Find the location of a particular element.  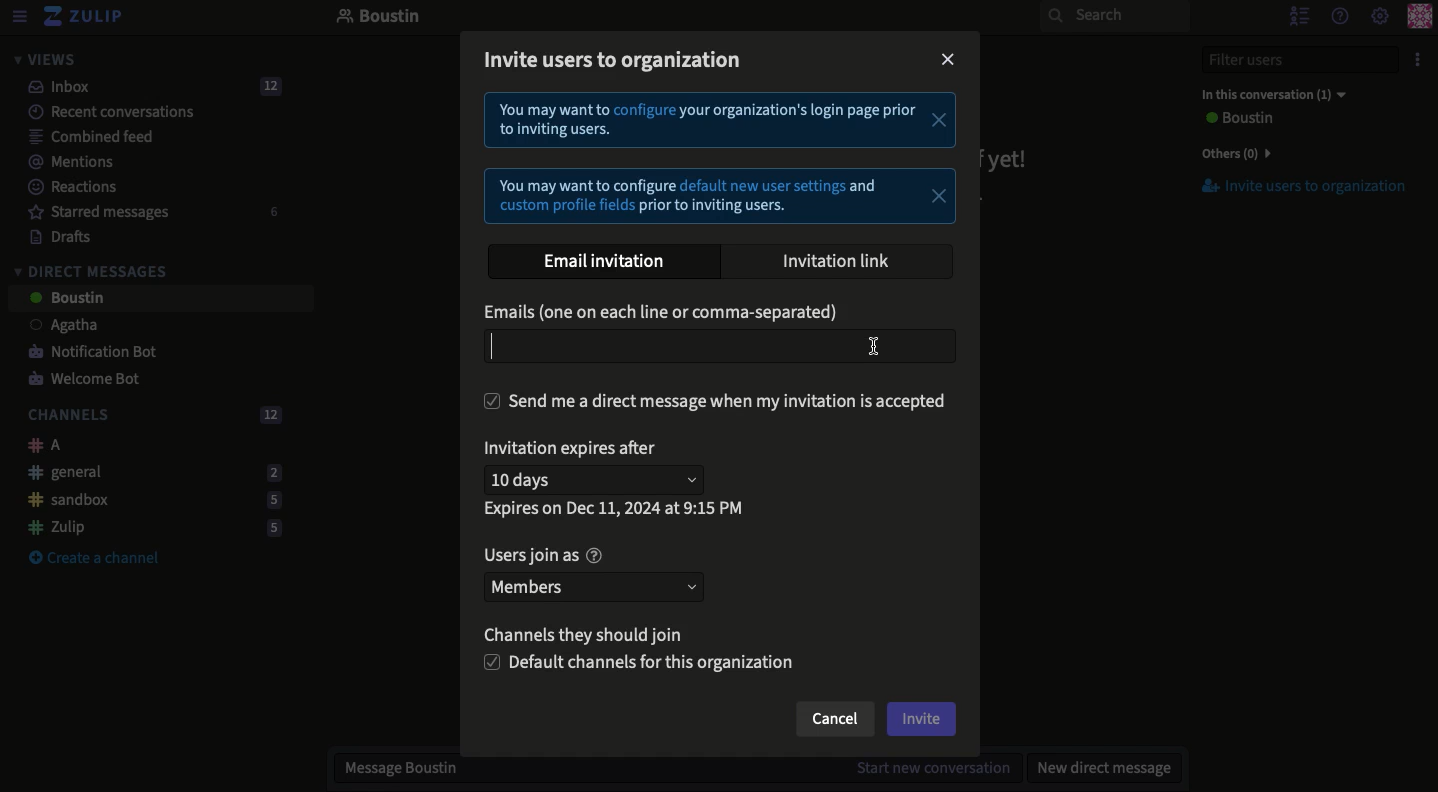

Message User is located at coordinates (665, 770).